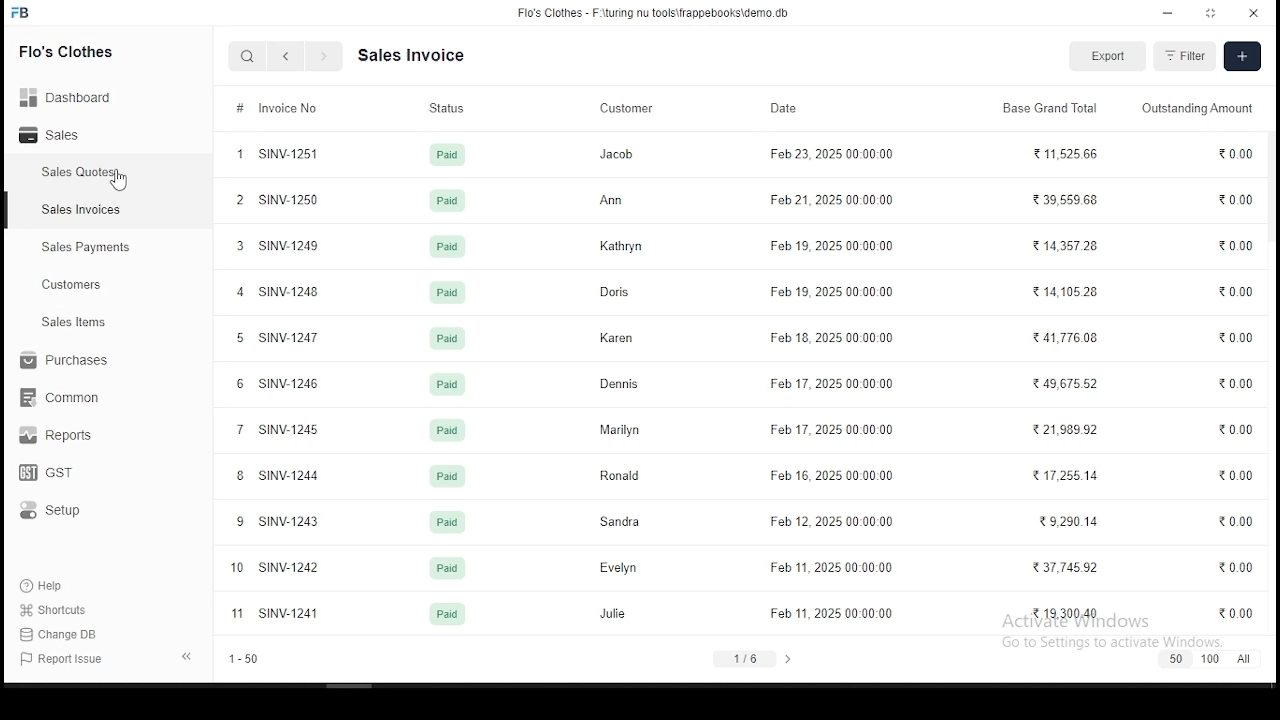  What do you see at coordinates (64, 135) in the screenshot?
I see `sales` at bounding box center [64, 135].